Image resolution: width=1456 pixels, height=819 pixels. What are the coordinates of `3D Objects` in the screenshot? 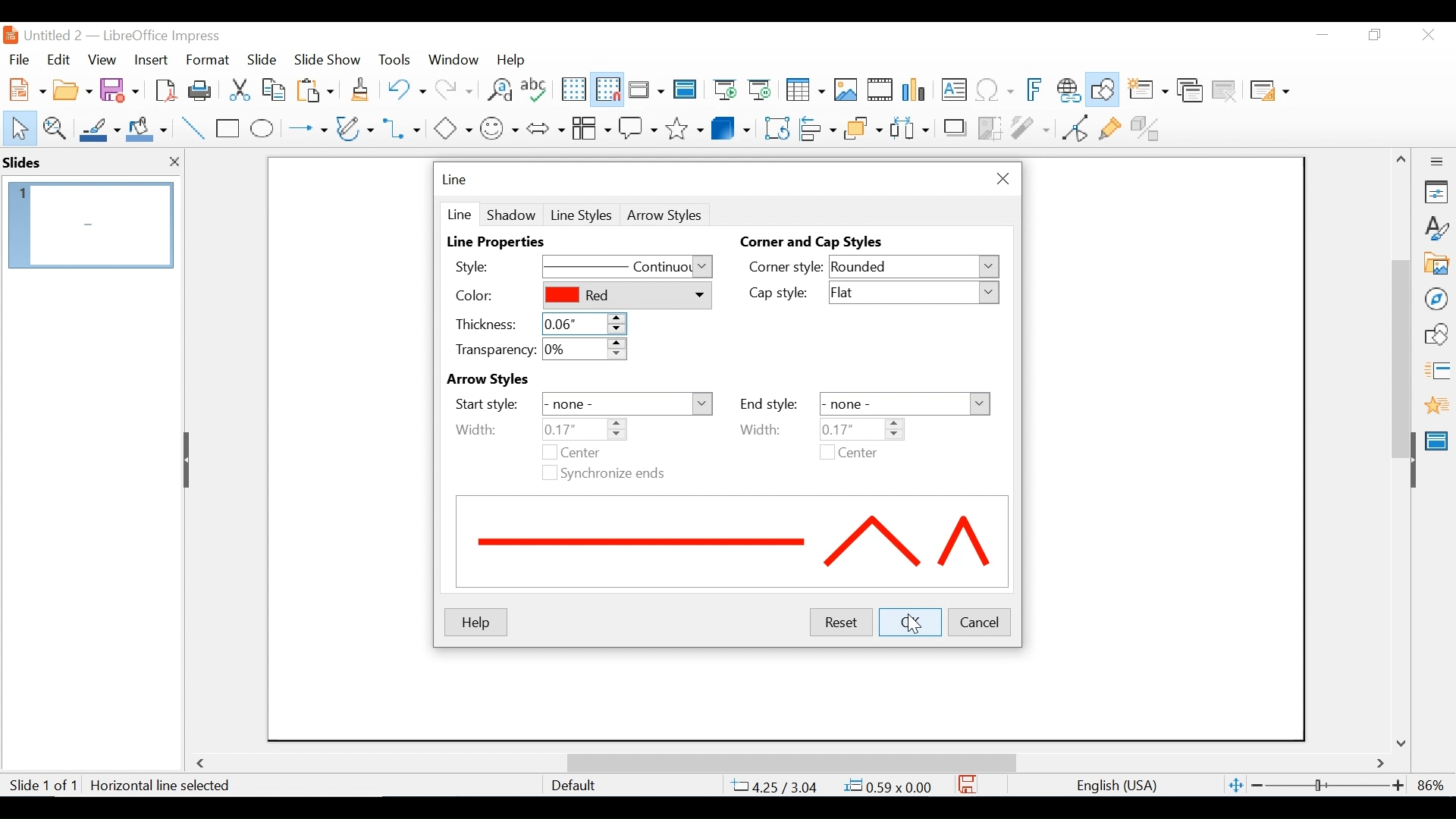 It's located at (731, 127).